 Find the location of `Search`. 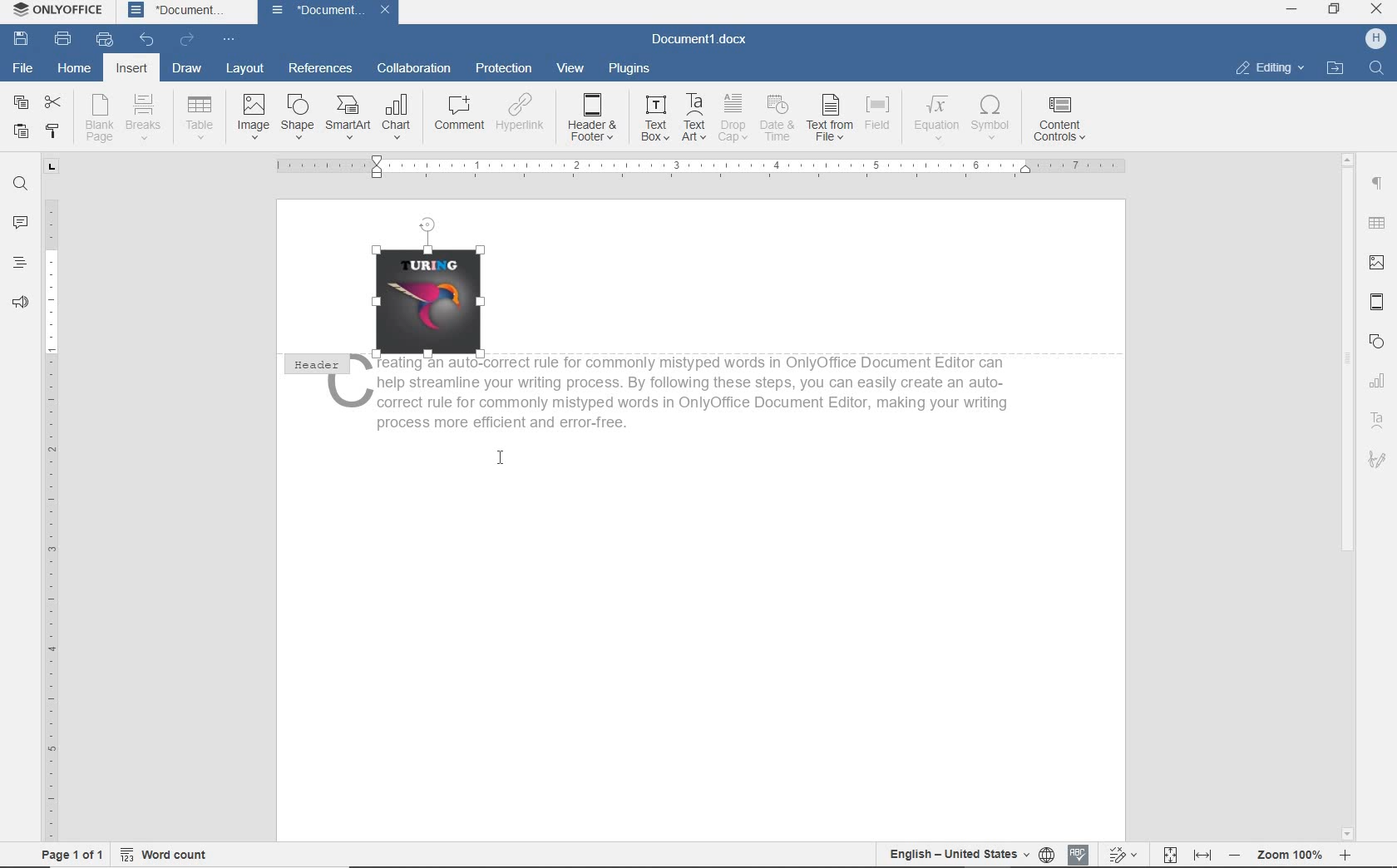

Search is located at coordinates (1375, 67).